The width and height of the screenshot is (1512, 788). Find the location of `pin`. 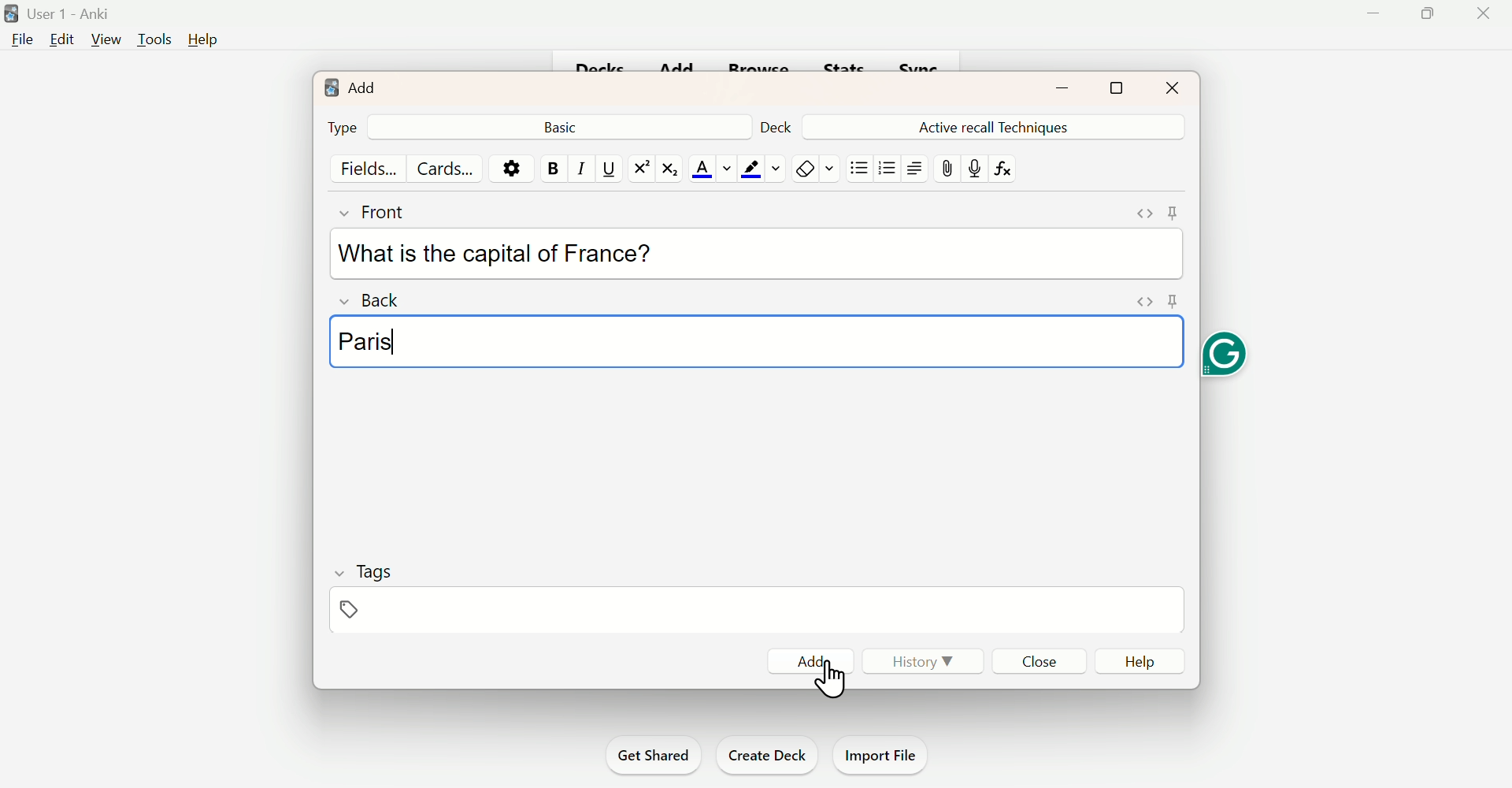

pin is located at coordinates (1161, 303).